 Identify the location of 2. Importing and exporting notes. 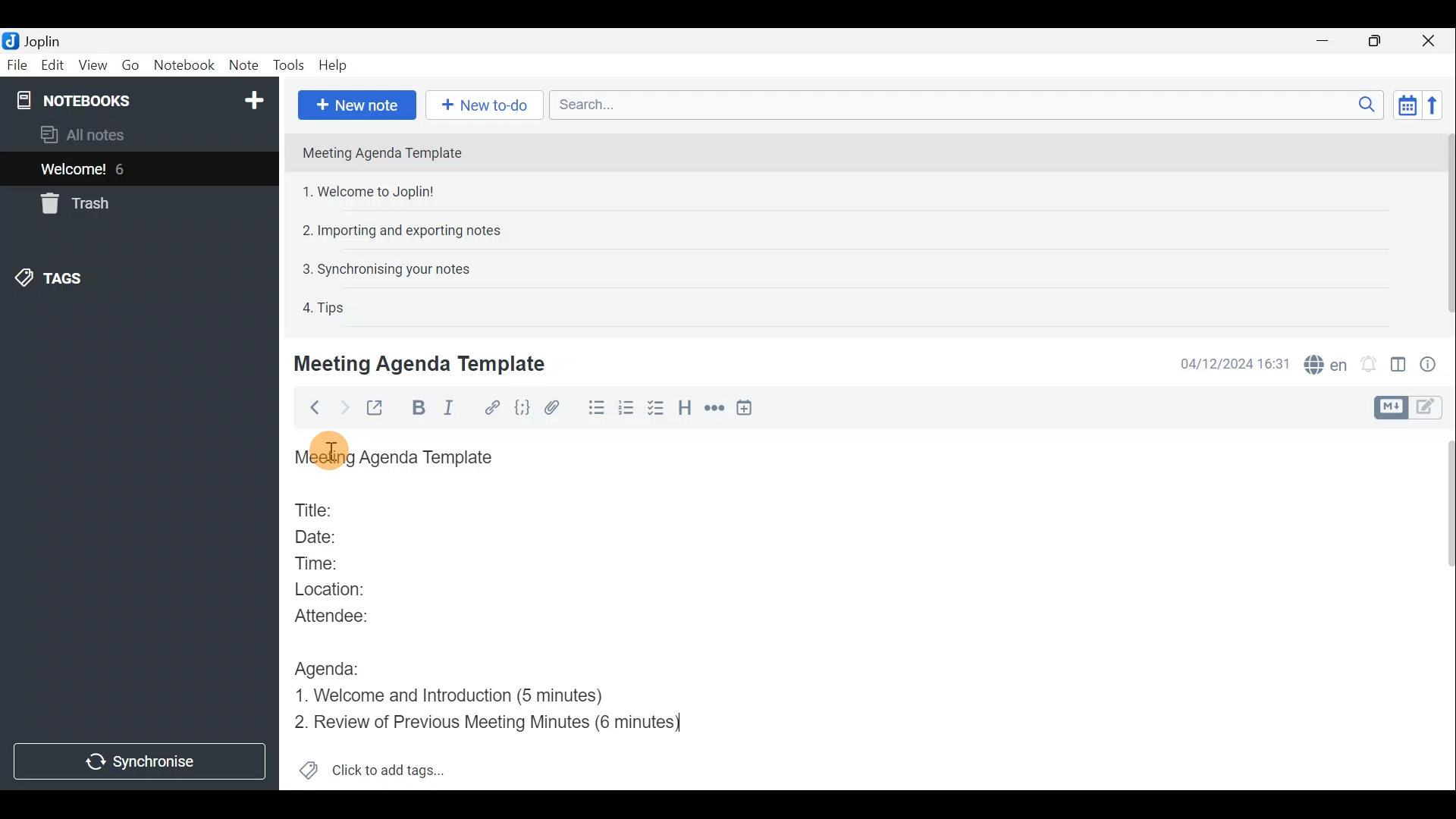
(407, 231).